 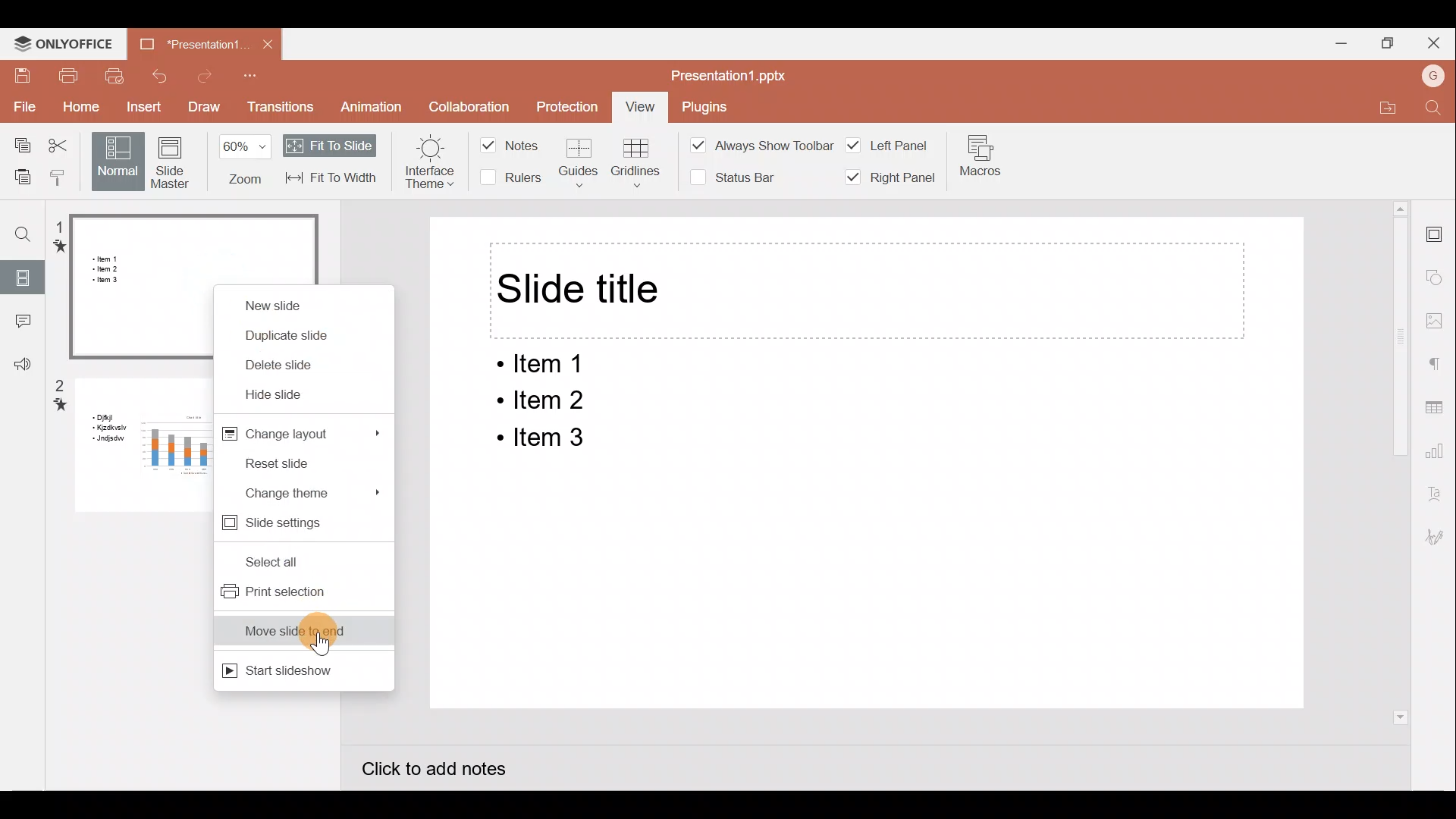 I want to click on Move slide to end, so click(x=304, y=624).